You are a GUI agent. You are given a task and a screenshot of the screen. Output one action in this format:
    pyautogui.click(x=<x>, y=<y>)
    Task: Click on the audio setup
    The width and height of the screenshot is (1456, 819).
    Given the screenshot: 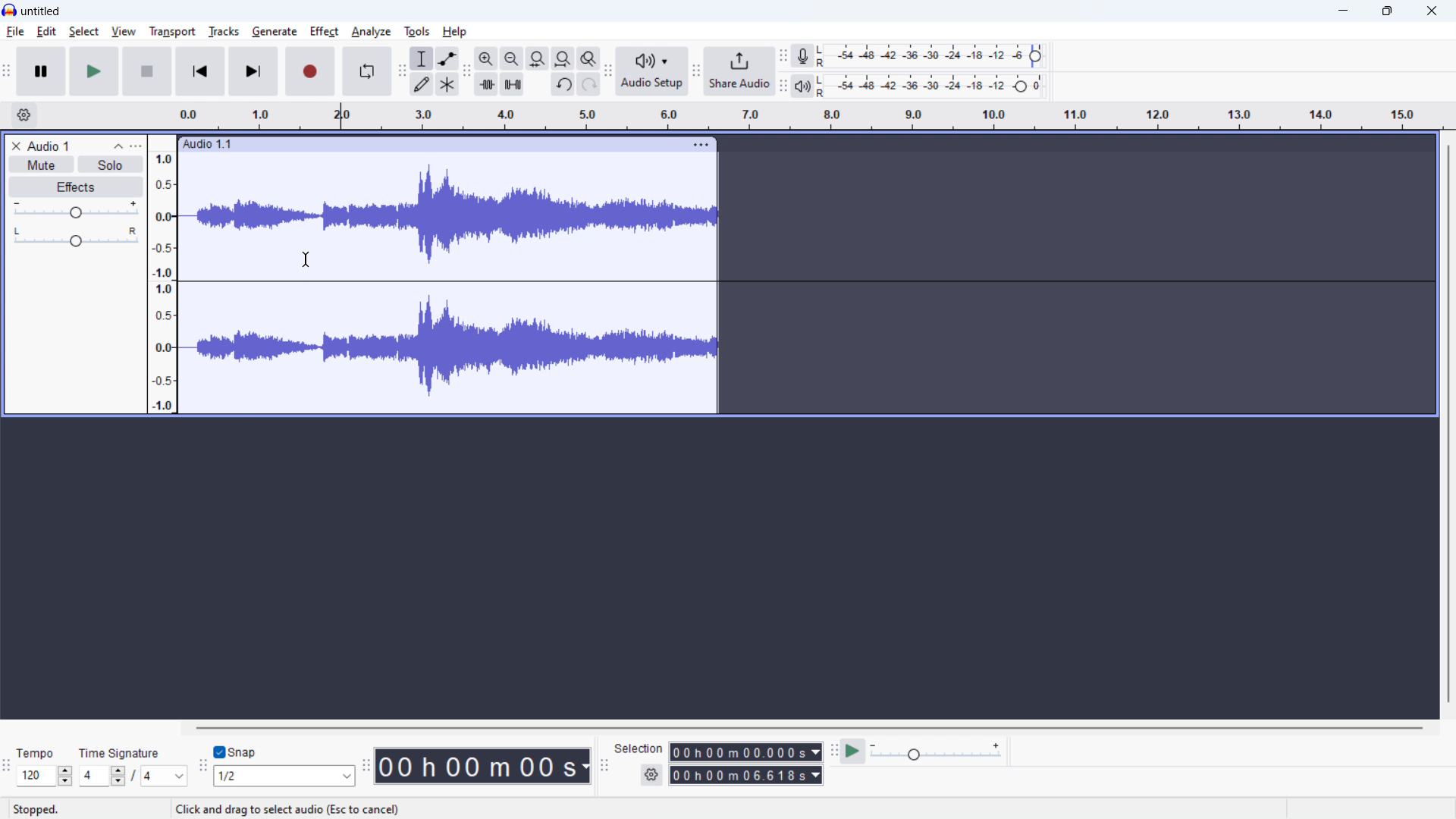 What is the action you would take?
    pyautogui.click(x=608, y=72)
    